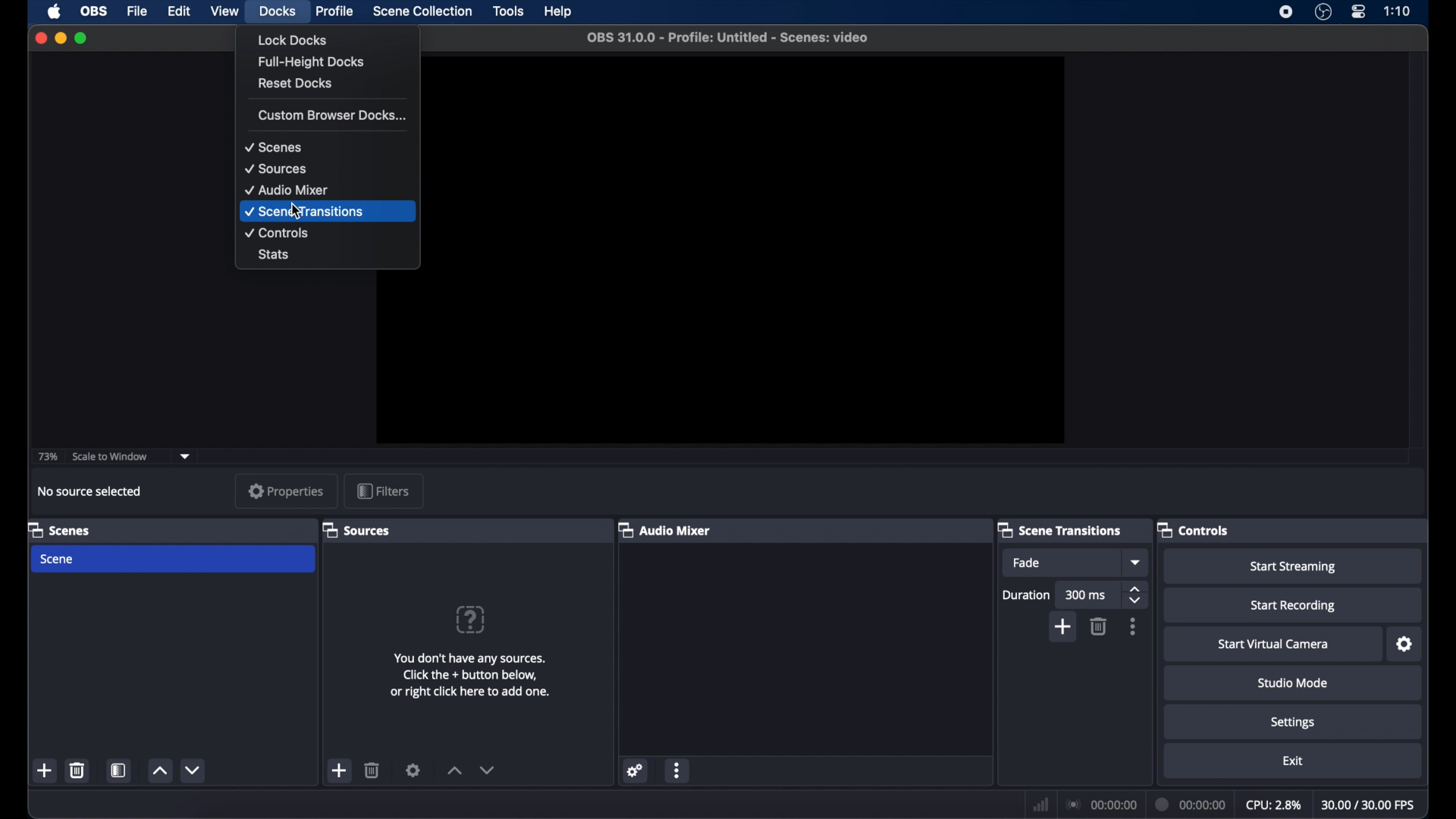 This screenshot has width=1456, height=819. Describe the element at coordinates (277, 233) in the screenshot. I see `controls` at that location.